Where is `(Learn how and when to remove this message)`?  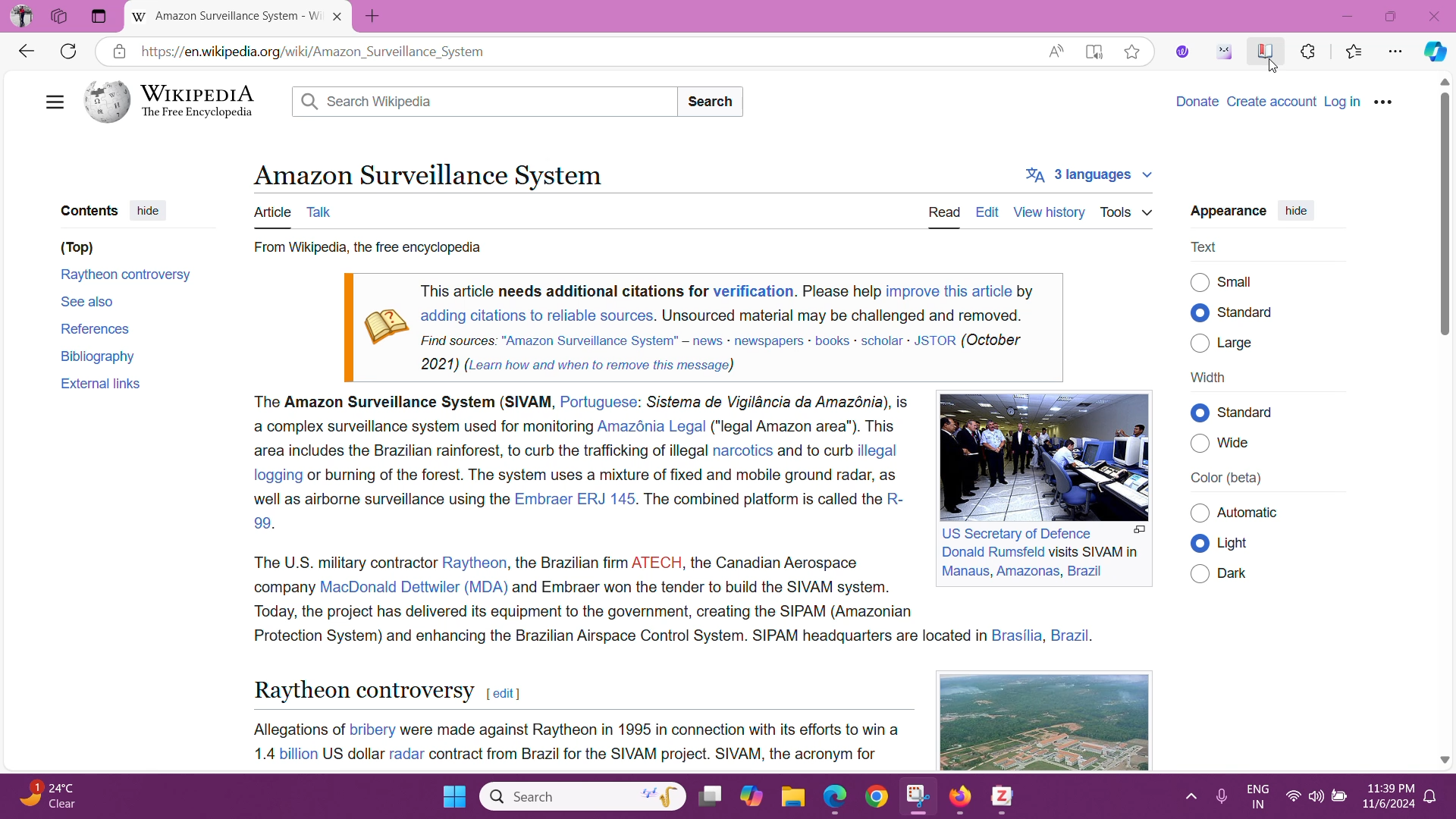
(Learn how and when to remove this message) is located at coordinates (599, 365).